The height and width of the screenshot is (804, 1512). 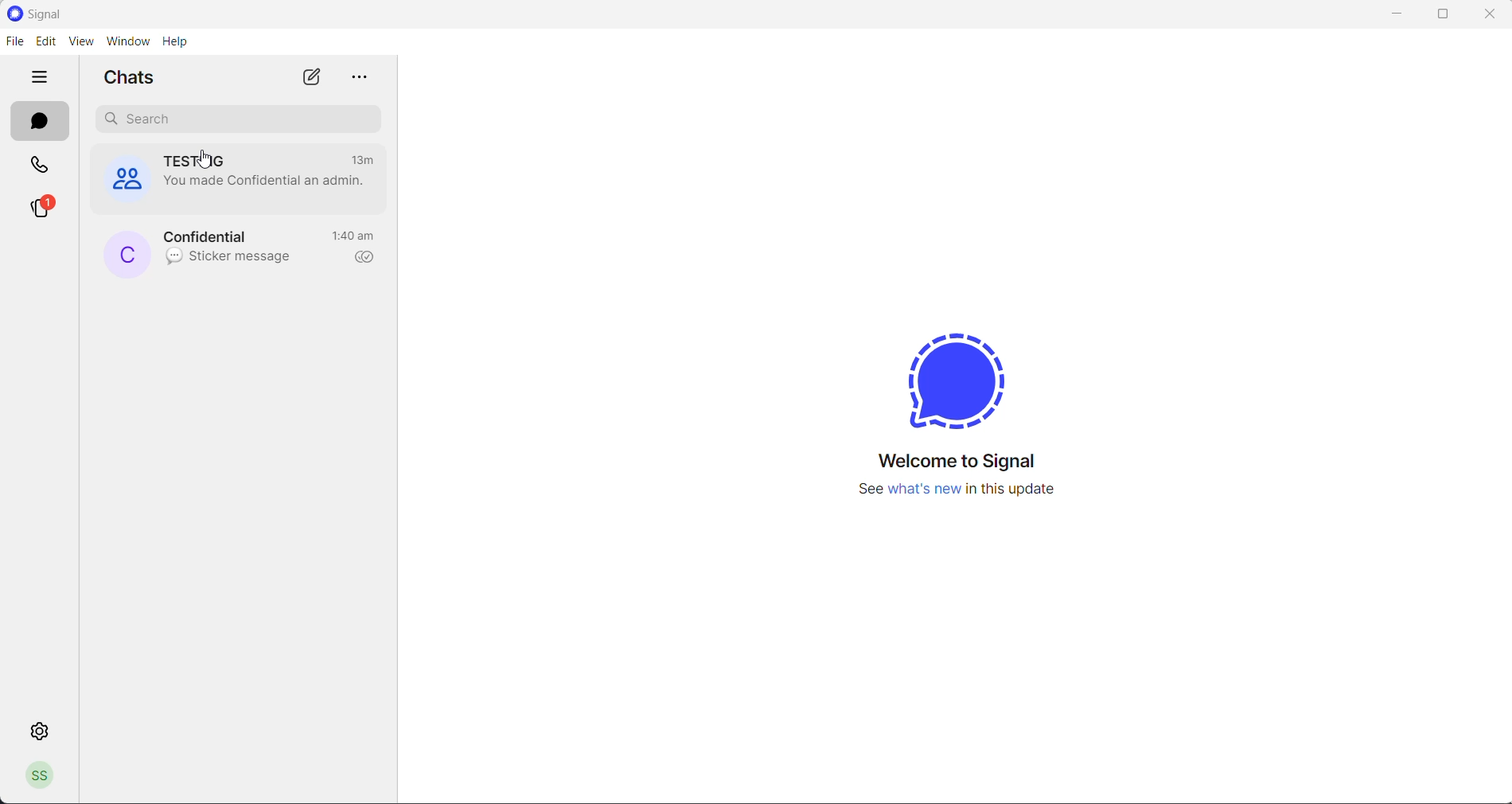 I want to click on last message, so click(x=231, y=260).